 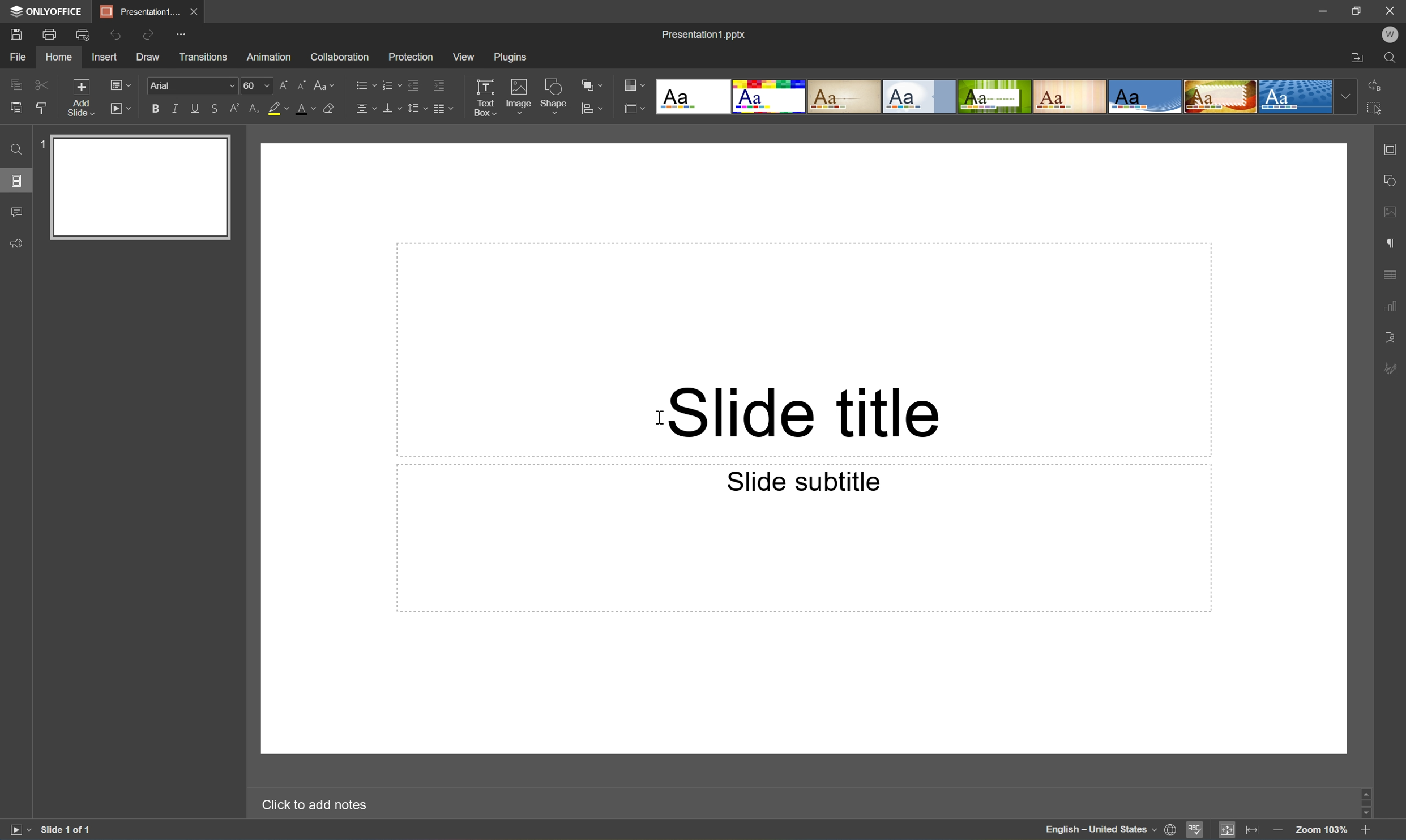 I want to click on Replace, so click(x=1374, y=84).